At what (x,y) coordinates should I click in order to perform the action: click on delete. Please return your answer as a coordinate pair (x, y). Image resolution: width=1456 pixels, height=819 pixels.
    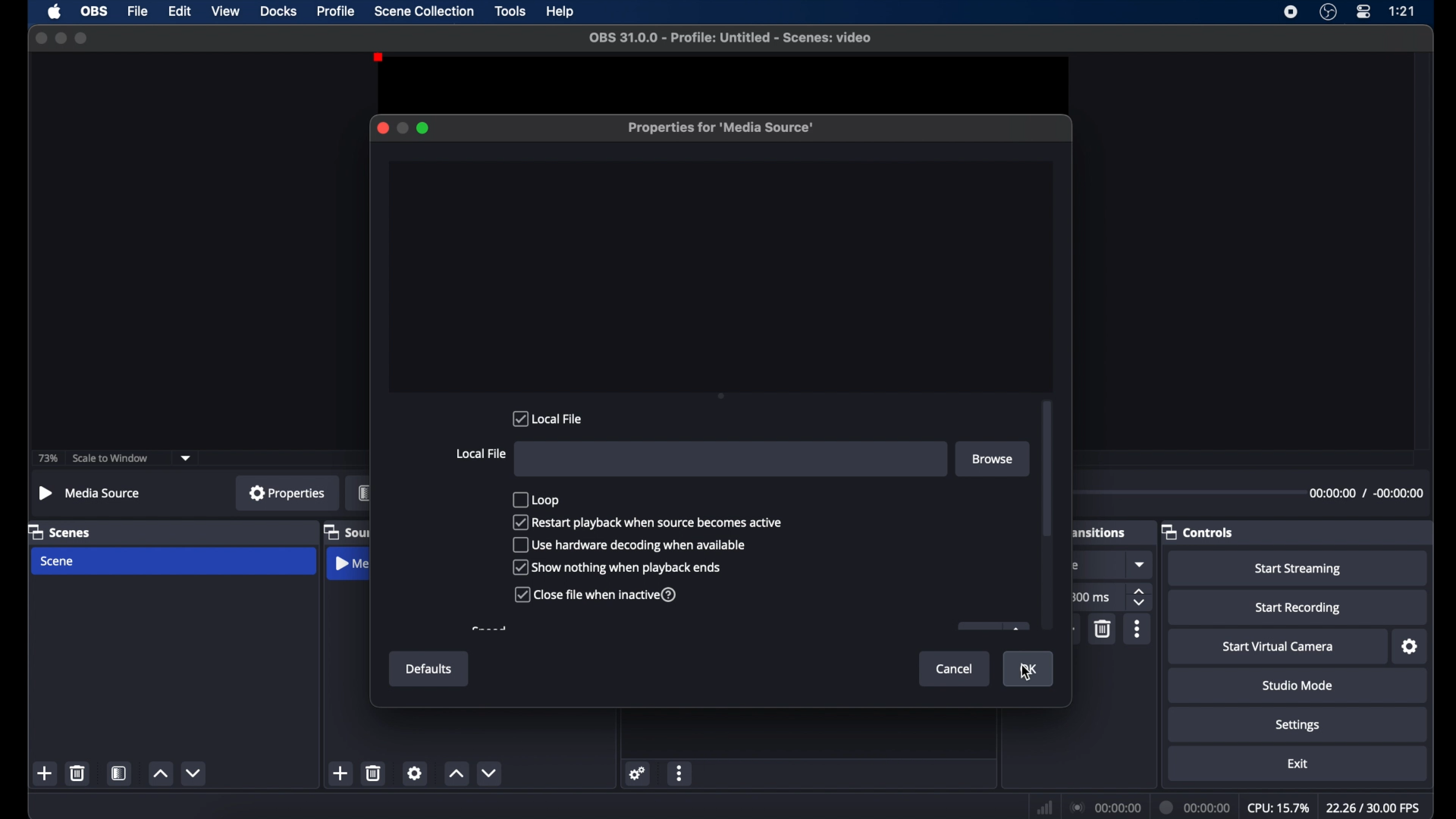
    Looking at the image, I should click on (373, 772).